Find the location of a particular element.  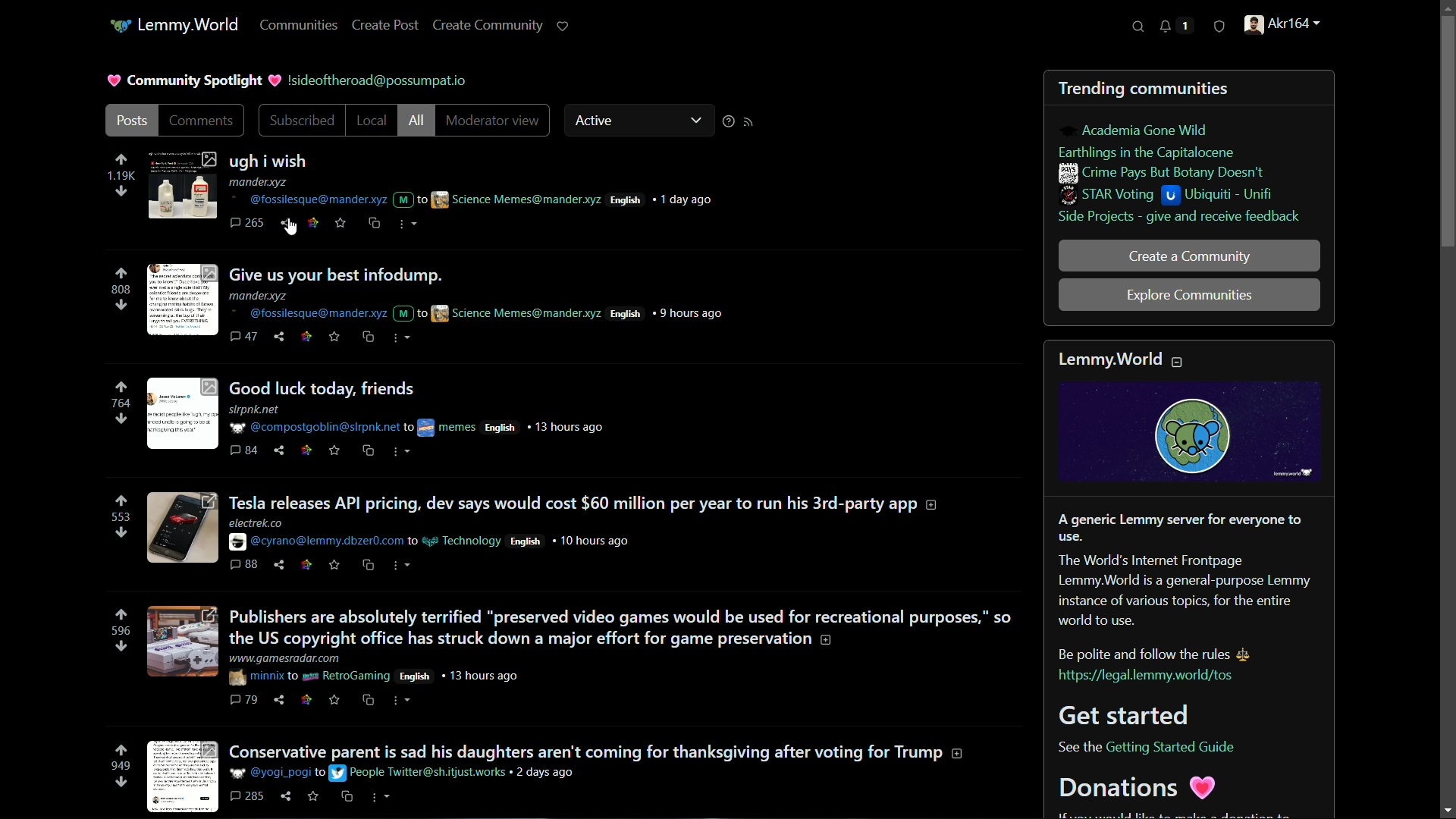

mander.xyz is located at coordinates (260, 296).